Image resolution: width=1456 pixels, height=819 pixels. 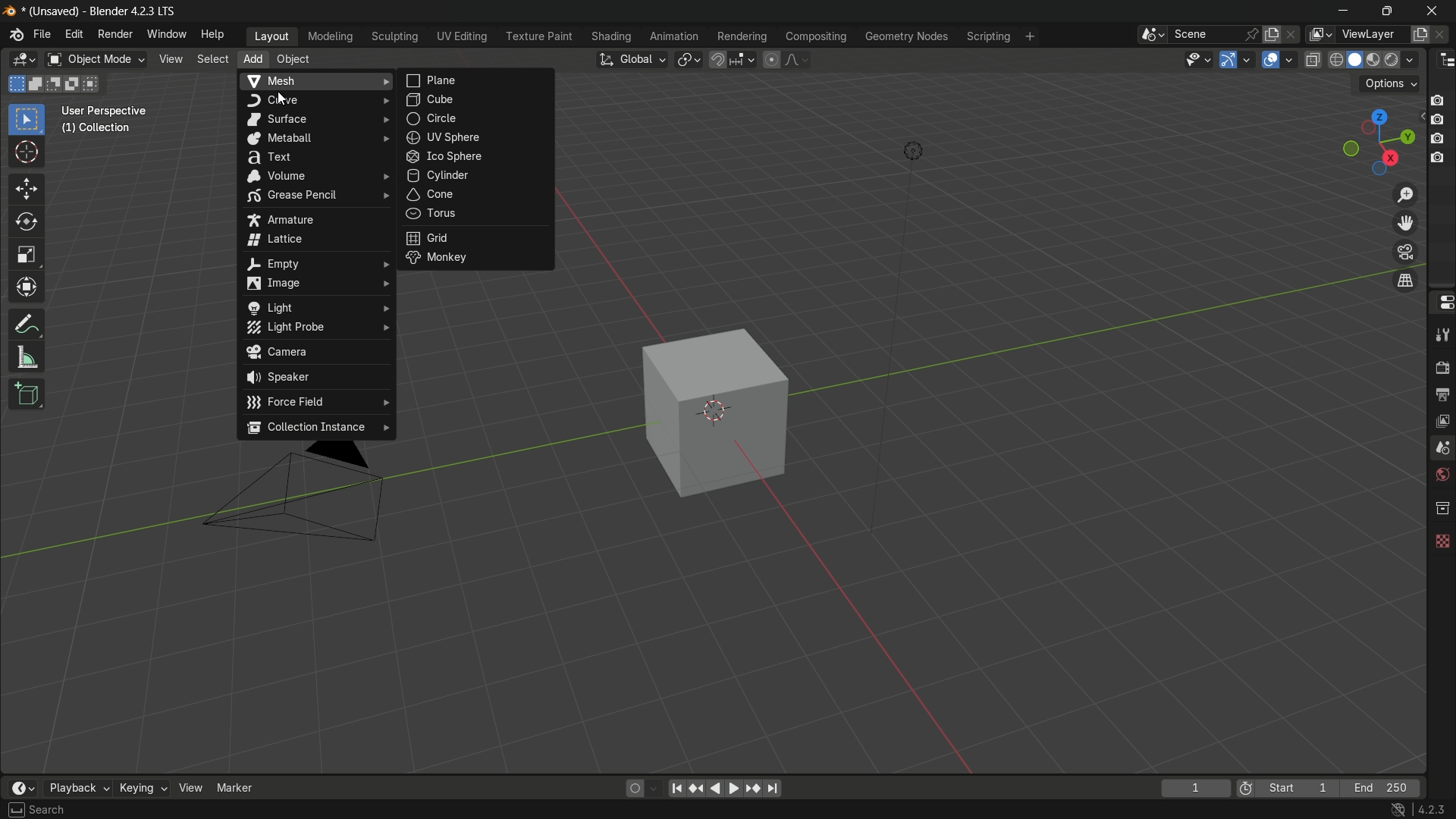 I want to click on zoom in/out, so click(x=1405, y=194).